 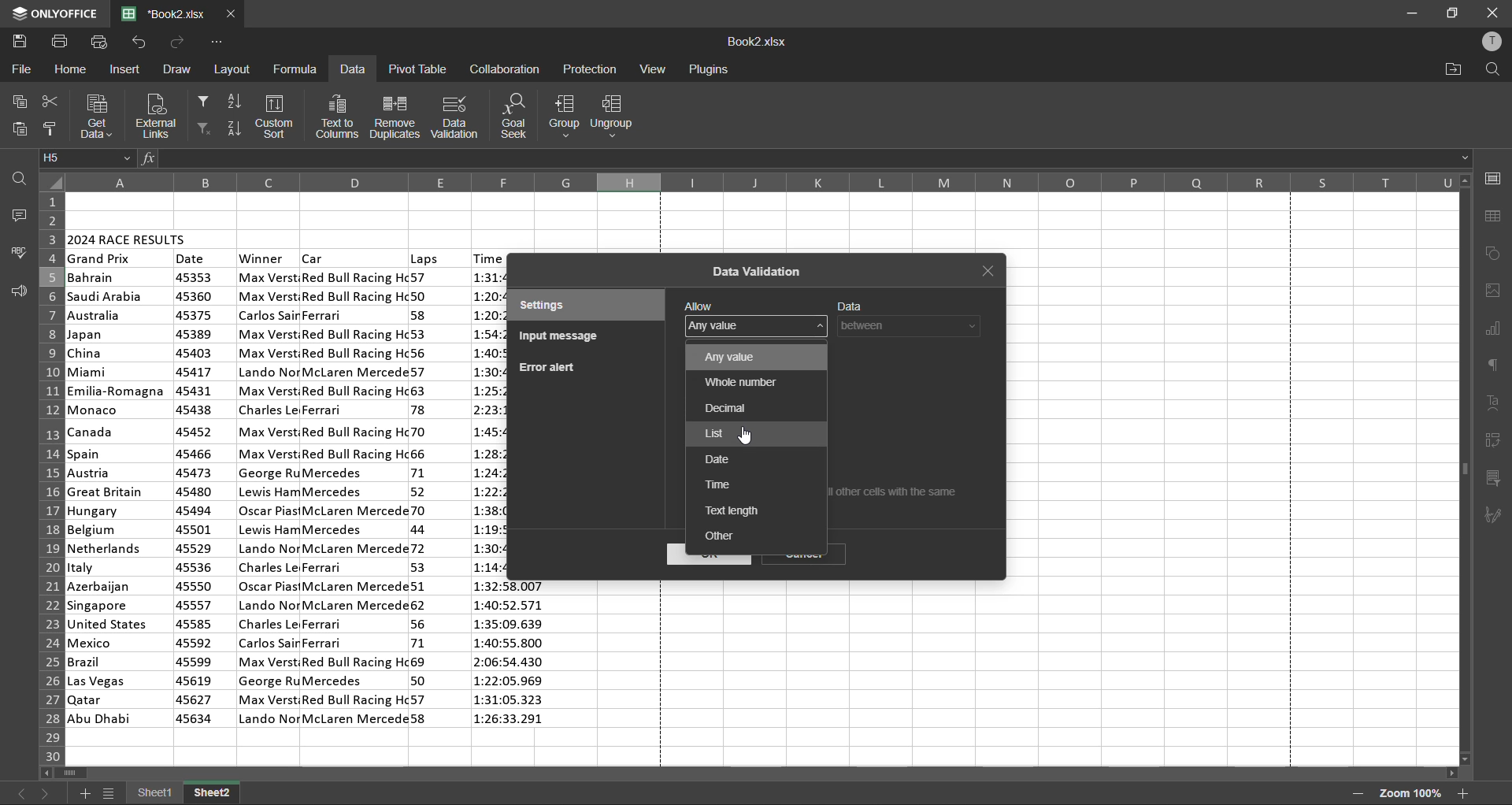 I want to click on scrollbar, so click(x=1465, y=469).